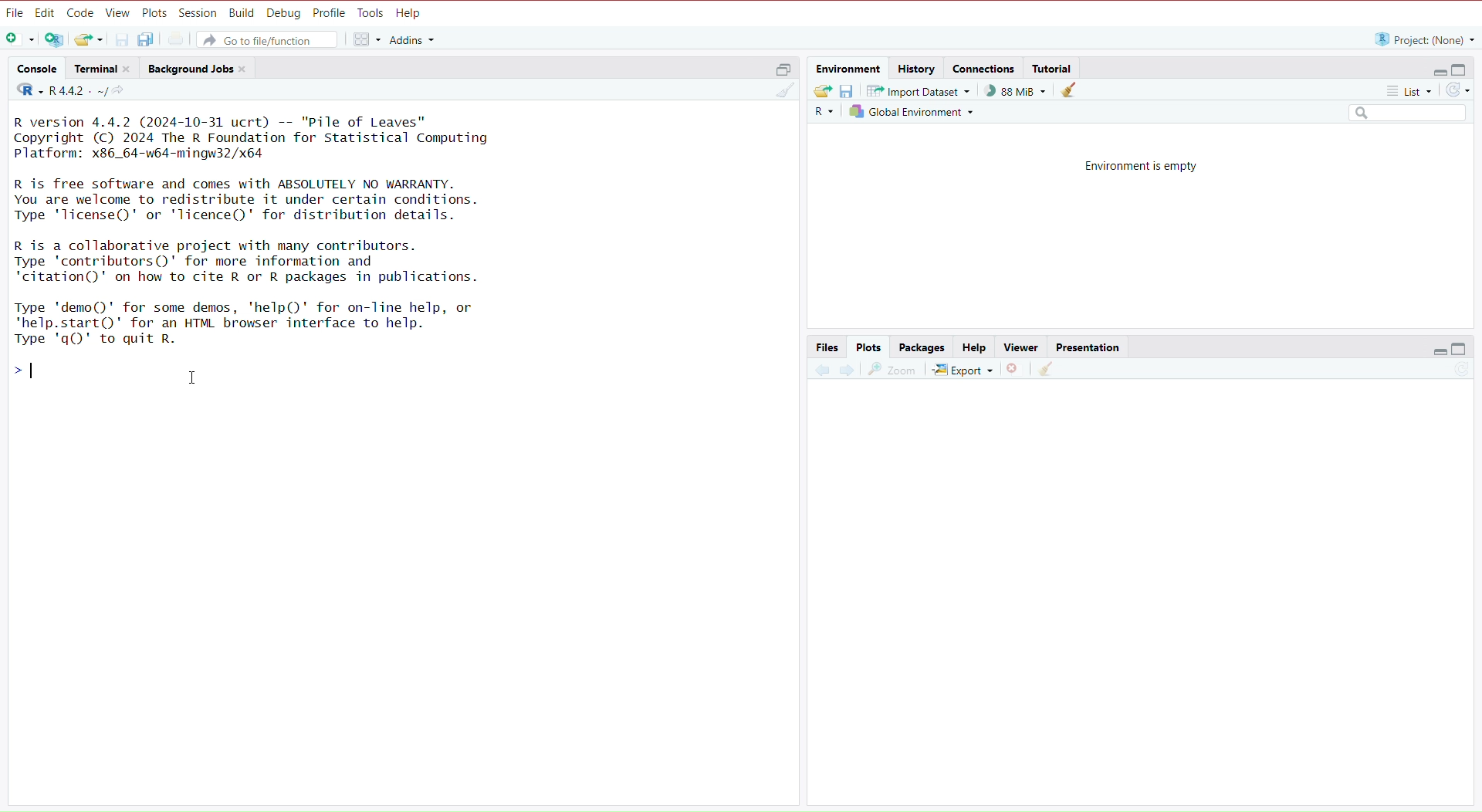 Image resolution: width=1482 pixels, height=812 pixels. What do you see at coordinates (347, 299) in the screenshot?
I see `R version 4.4.2 (2024-10-31 ucrt) -- "Pile of Leaves"
Copyright (C) 2024 The R Foundation for Statistical Computing
Platform: x86_64-w64-mingw32/x64

R is free software and comes with ABSOLUTELY NO WARRANTY.
You are welcome to redistribute it under certain conditions.
Type 'lTicense()' or 'lTicence()' for distribution details.

R is a collaborative project with many contributors.

Type 'contributors()' for more information and

‘citation()' on how to cite R or R packages in publications.
Type 'demo()' for some demos, 'help()' for on-line help, or
"help.start()' for an HTML browser interface to help.

Type 'q()' to quit R.

>| I` at bounding box center [347, 299].